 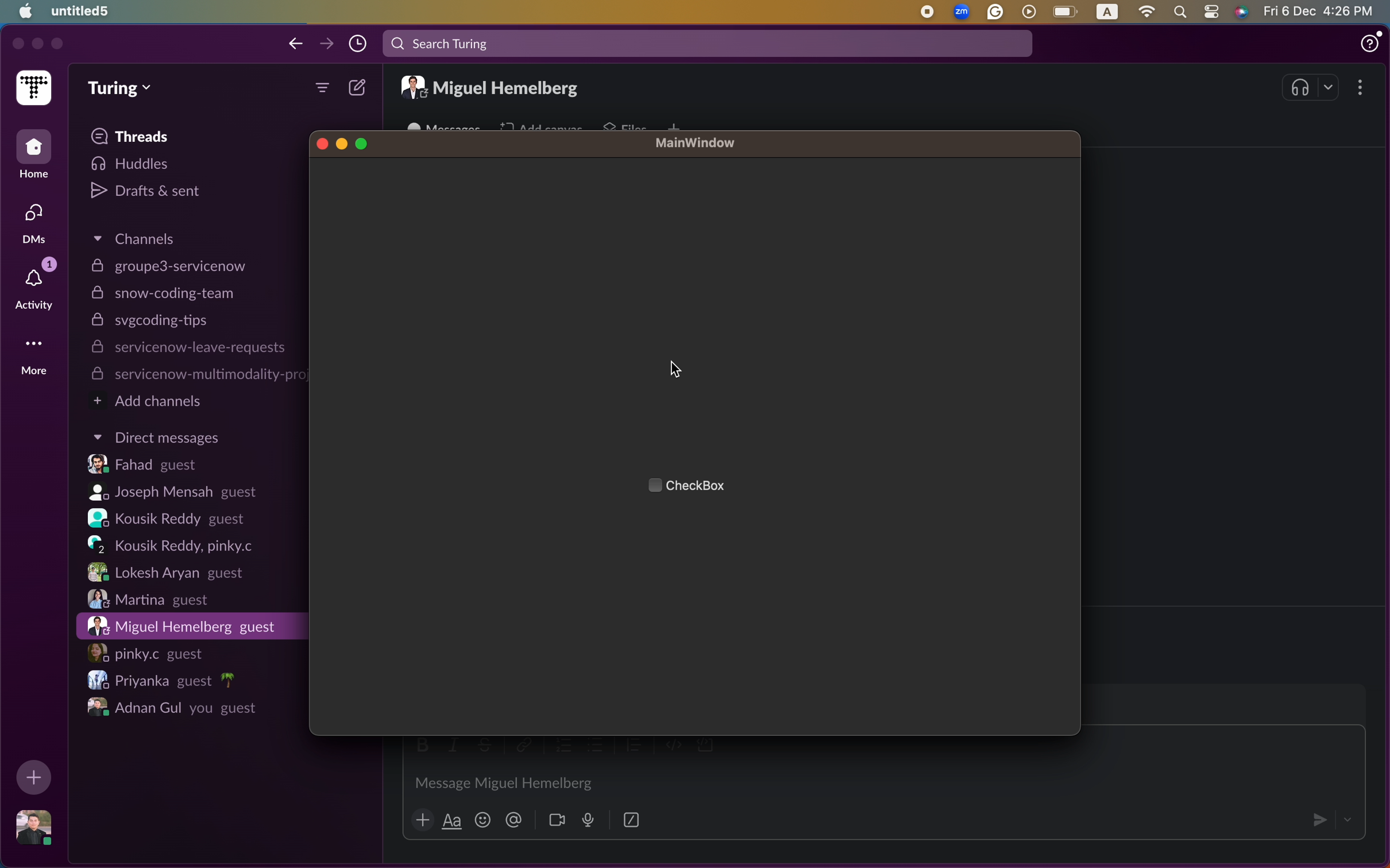 I want to click on servicenow-leave, so click(x=188, y=349).